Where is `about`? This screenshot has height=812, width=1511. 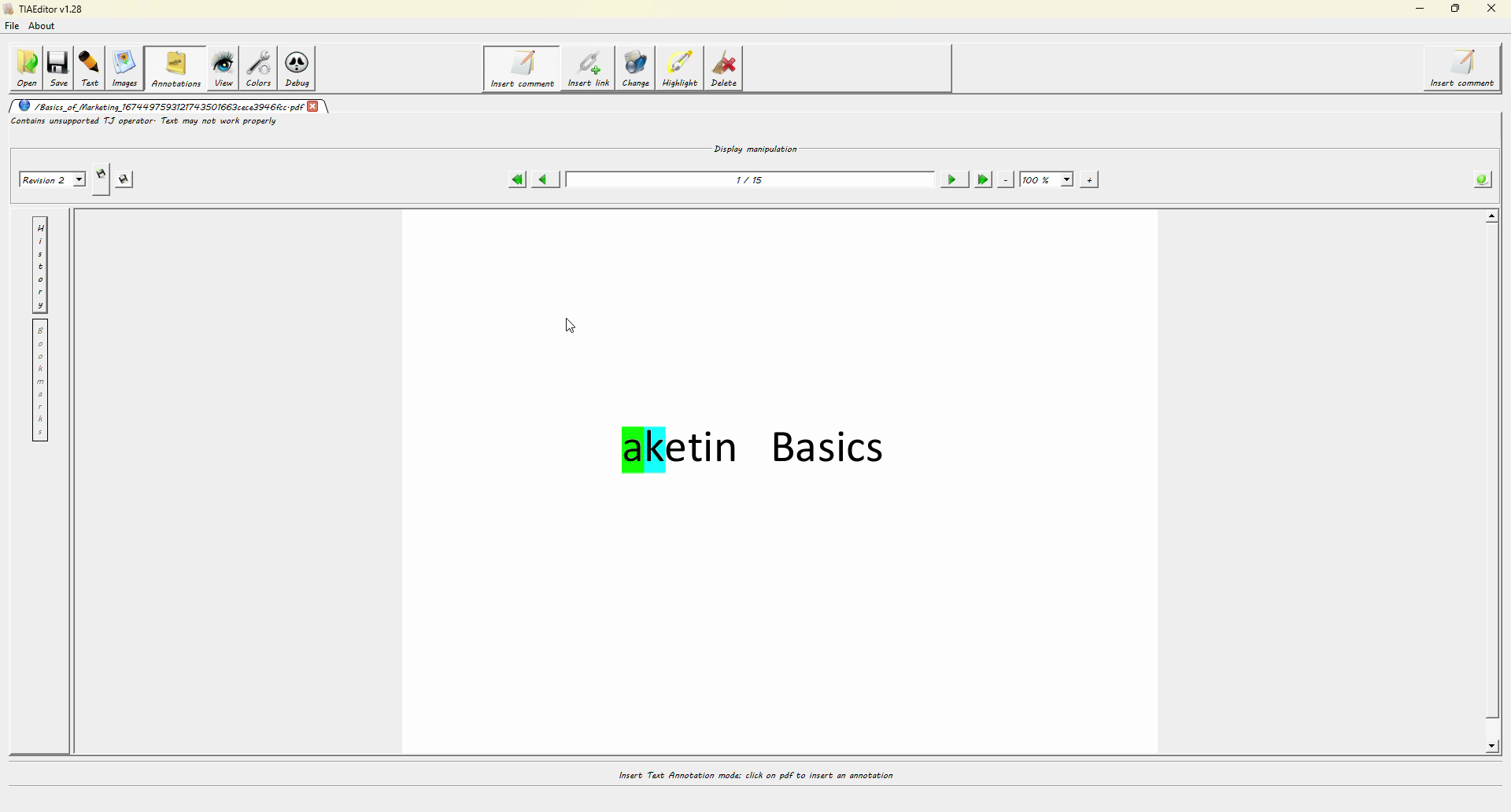
about is located at coordinates (46, 25).